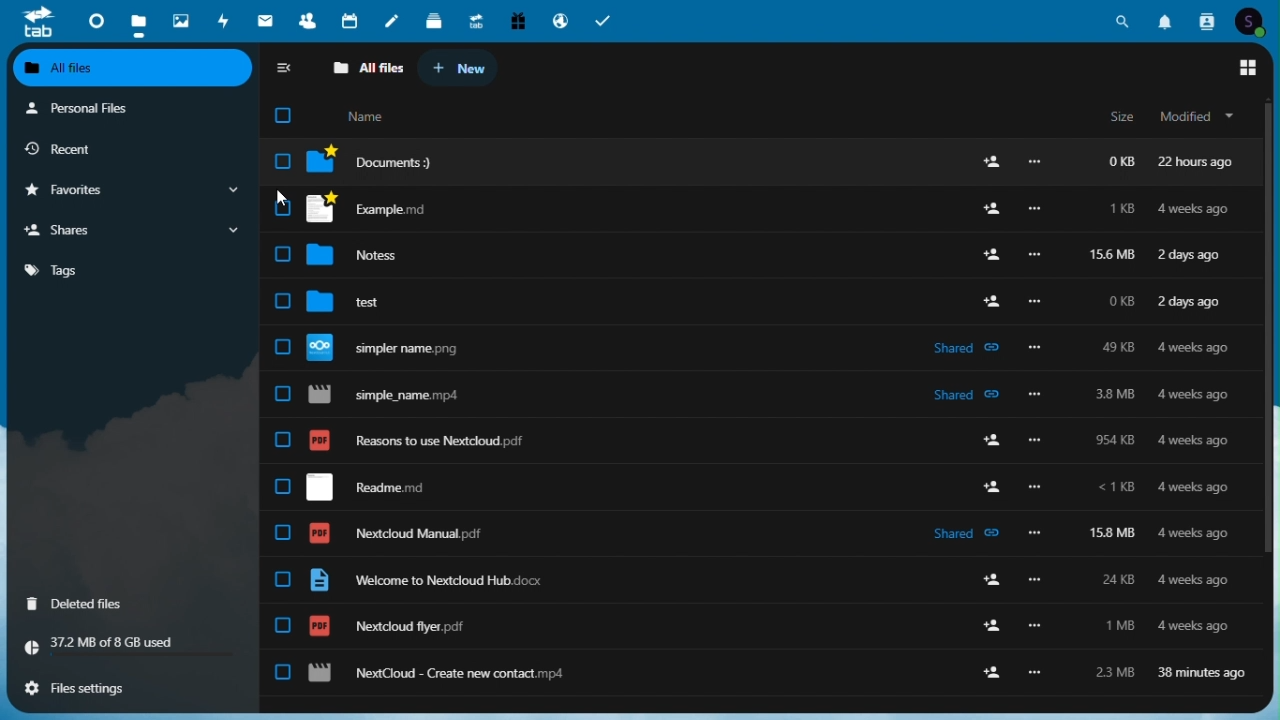 Image resolution: width=1280 pixels, height=720 pixels. I want to click on Contacts, so click(1205, 20).